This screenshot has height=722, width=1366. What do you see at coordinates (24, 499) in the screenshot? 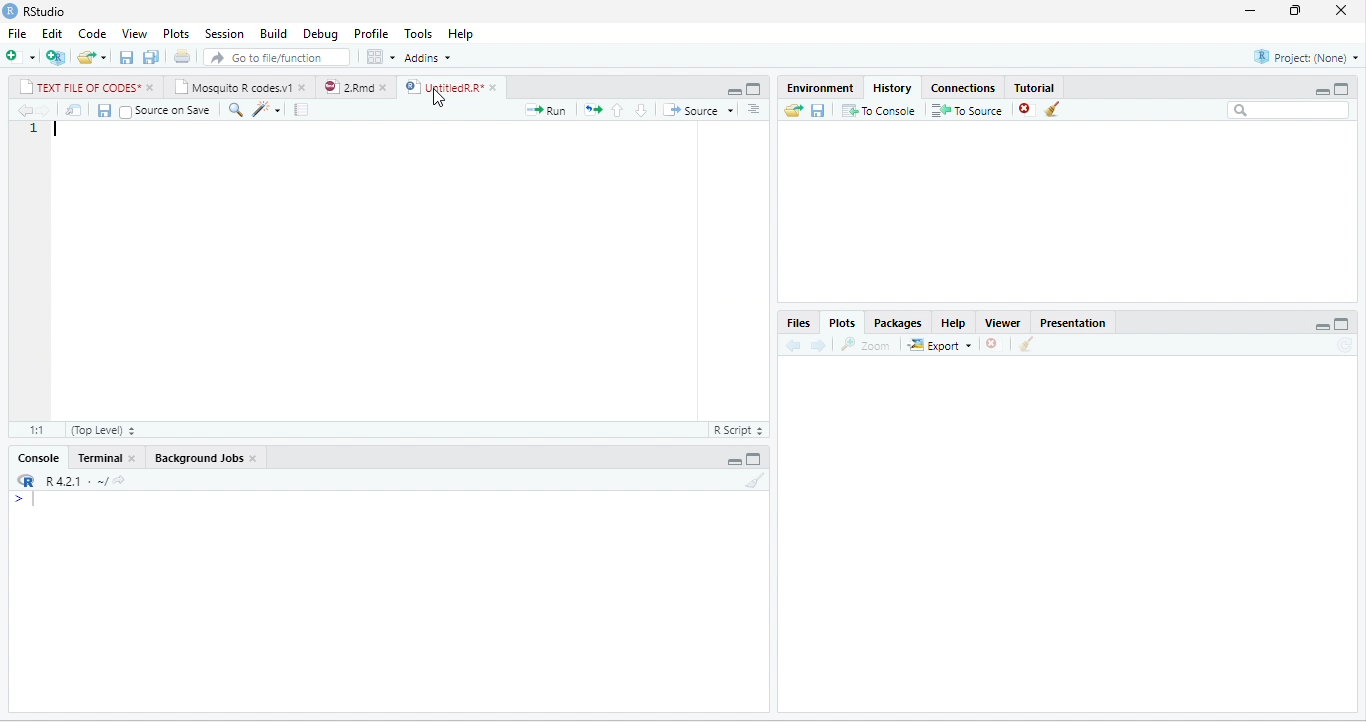
I see `>` at bounding box center [24, 499].